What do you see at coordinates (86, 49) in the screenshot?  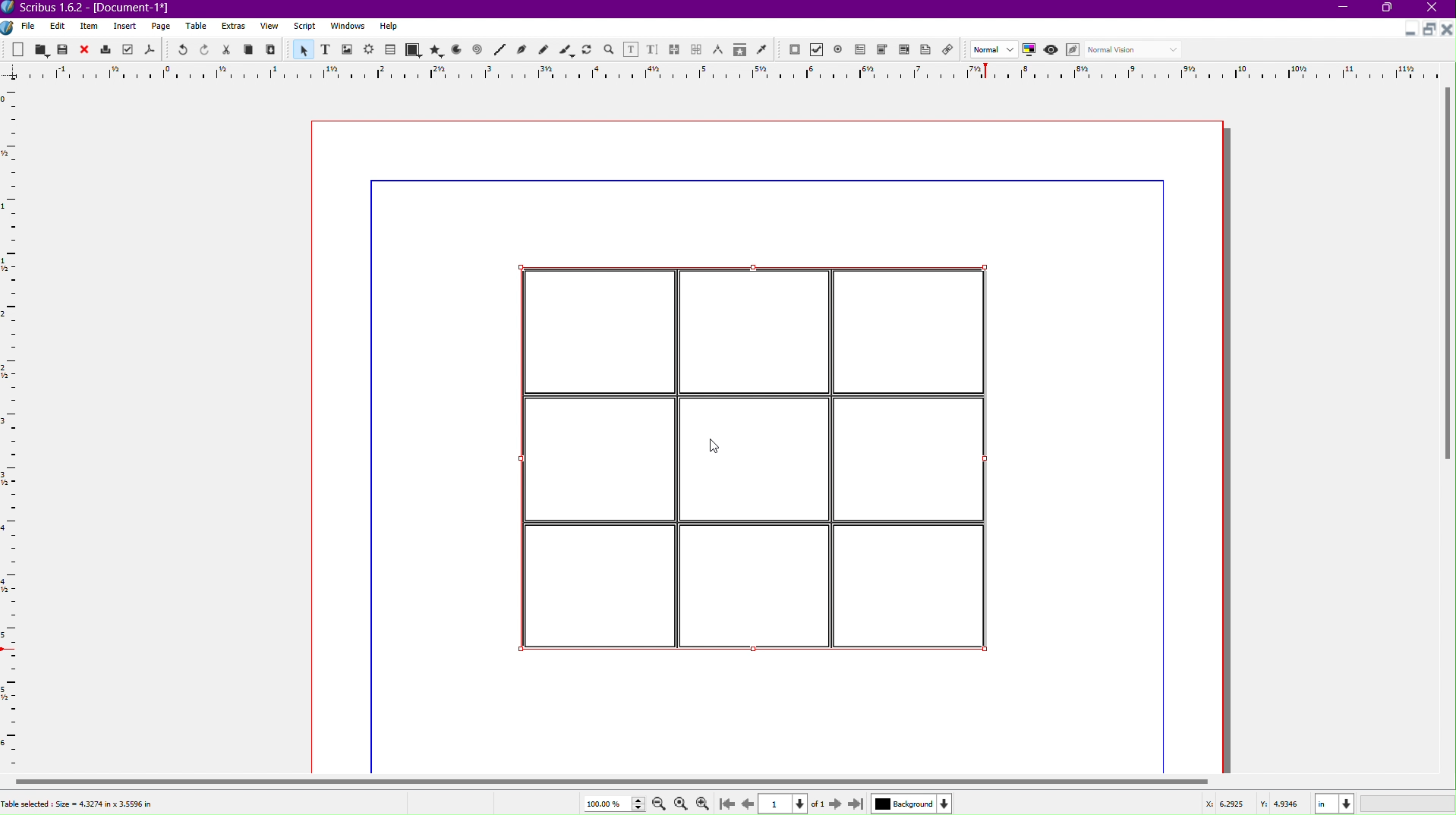 I see `Close` at bounding box center [86, 49].